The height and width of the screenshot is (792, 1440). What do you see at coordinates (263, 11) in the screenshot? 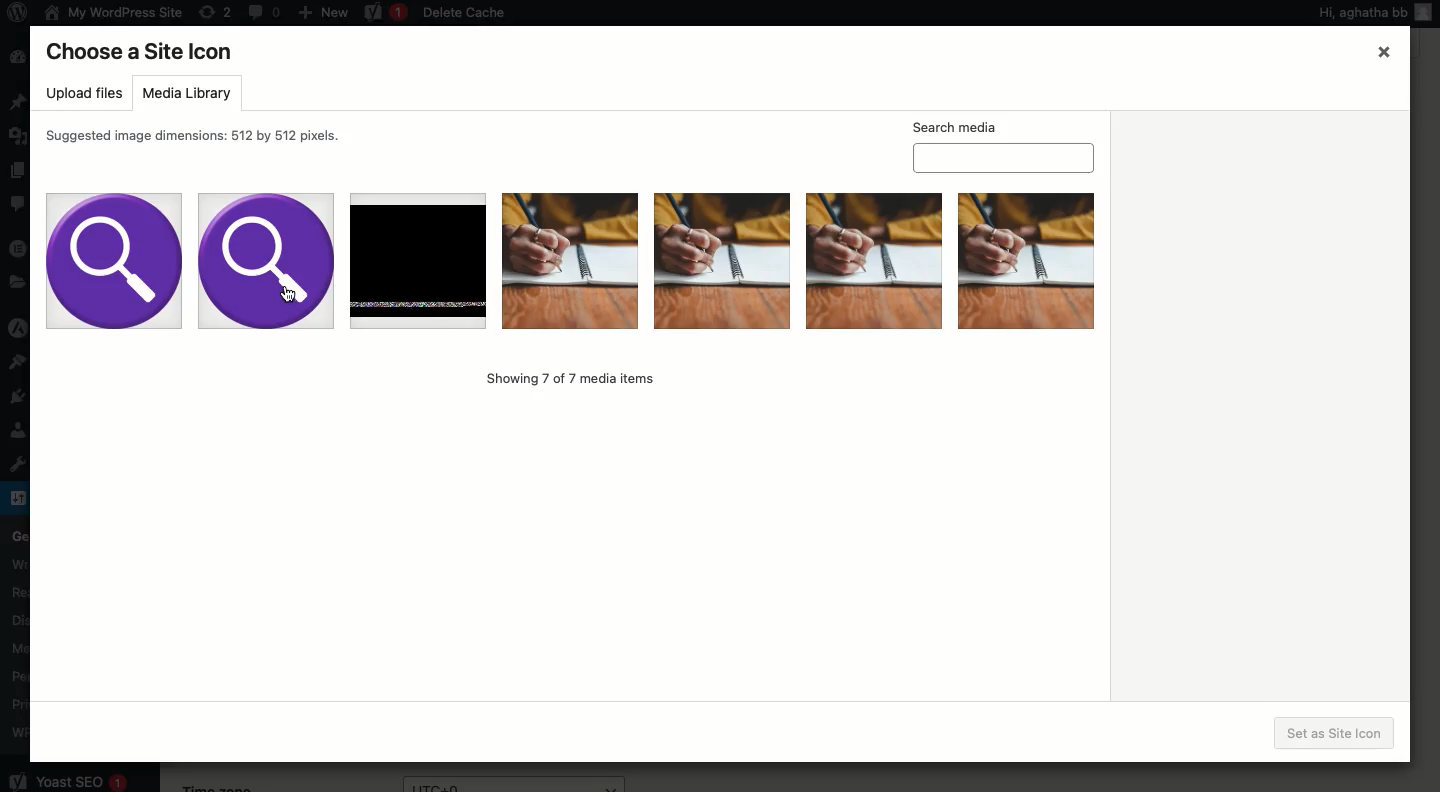
I see `Comment (0)` at bounding box center [263, 11].